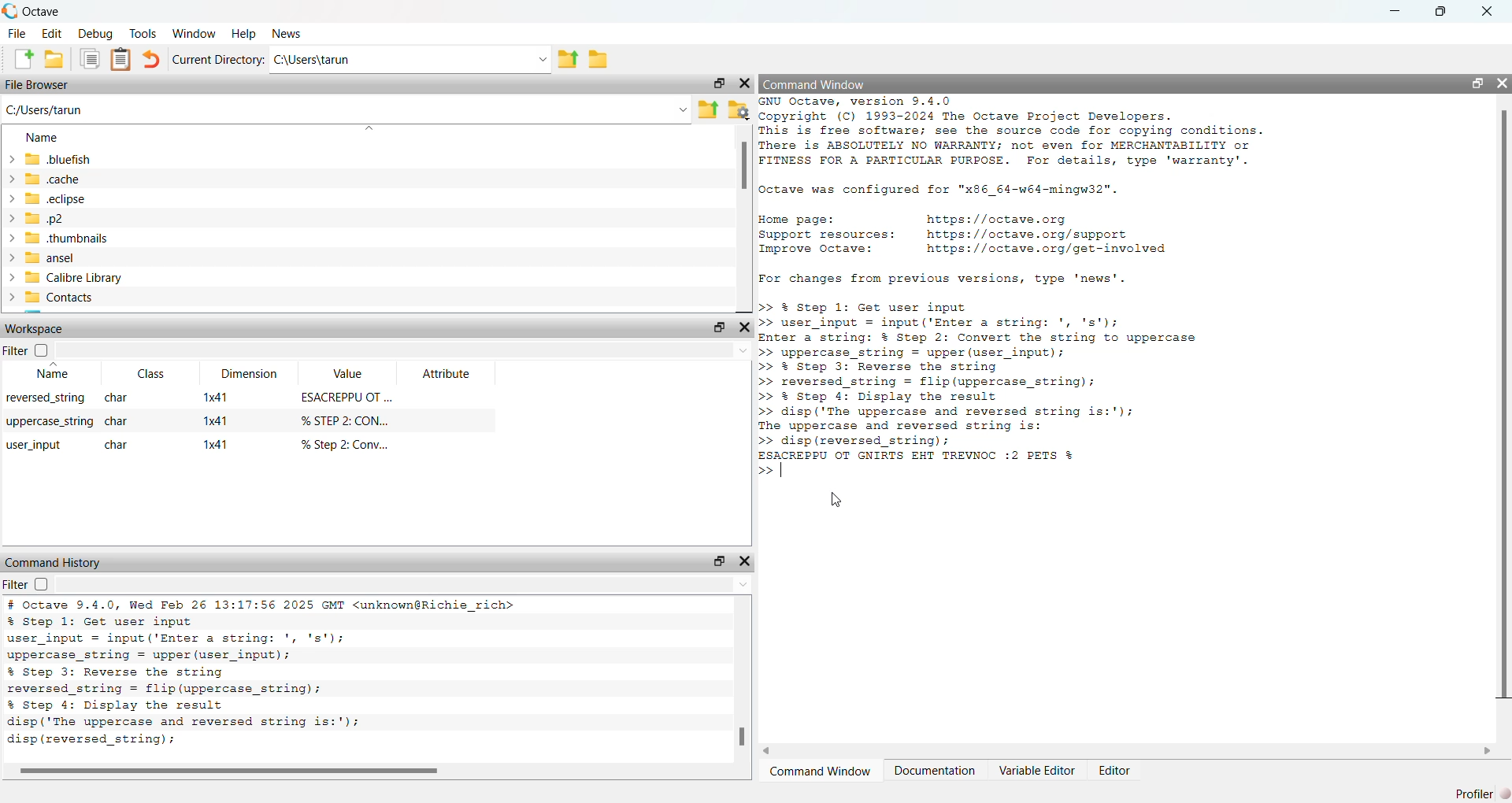  Describe the element at coordinates (243, 35) in the screenshot. I see `help` at that location.